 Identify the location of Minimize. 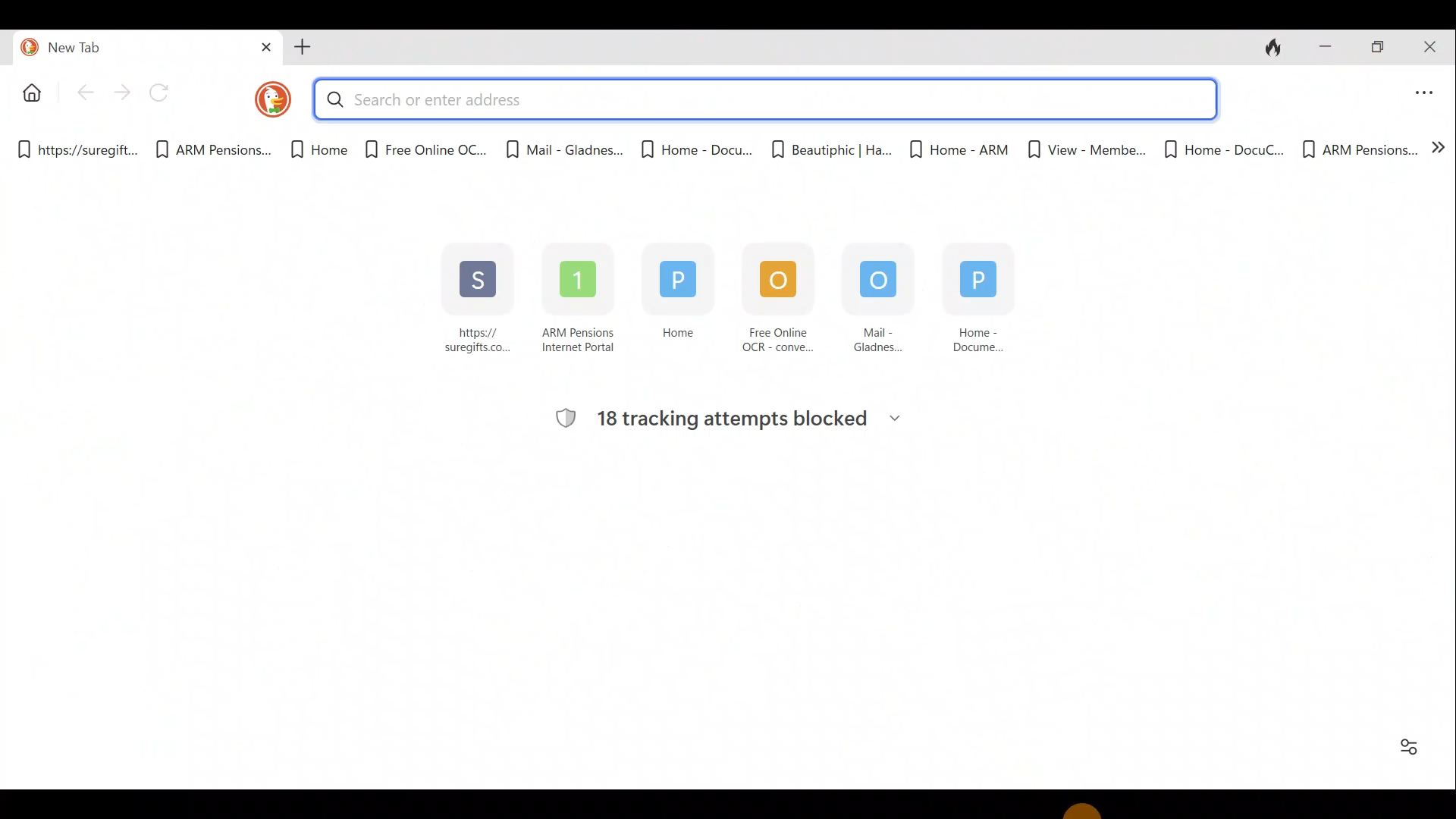
(1325, 45).